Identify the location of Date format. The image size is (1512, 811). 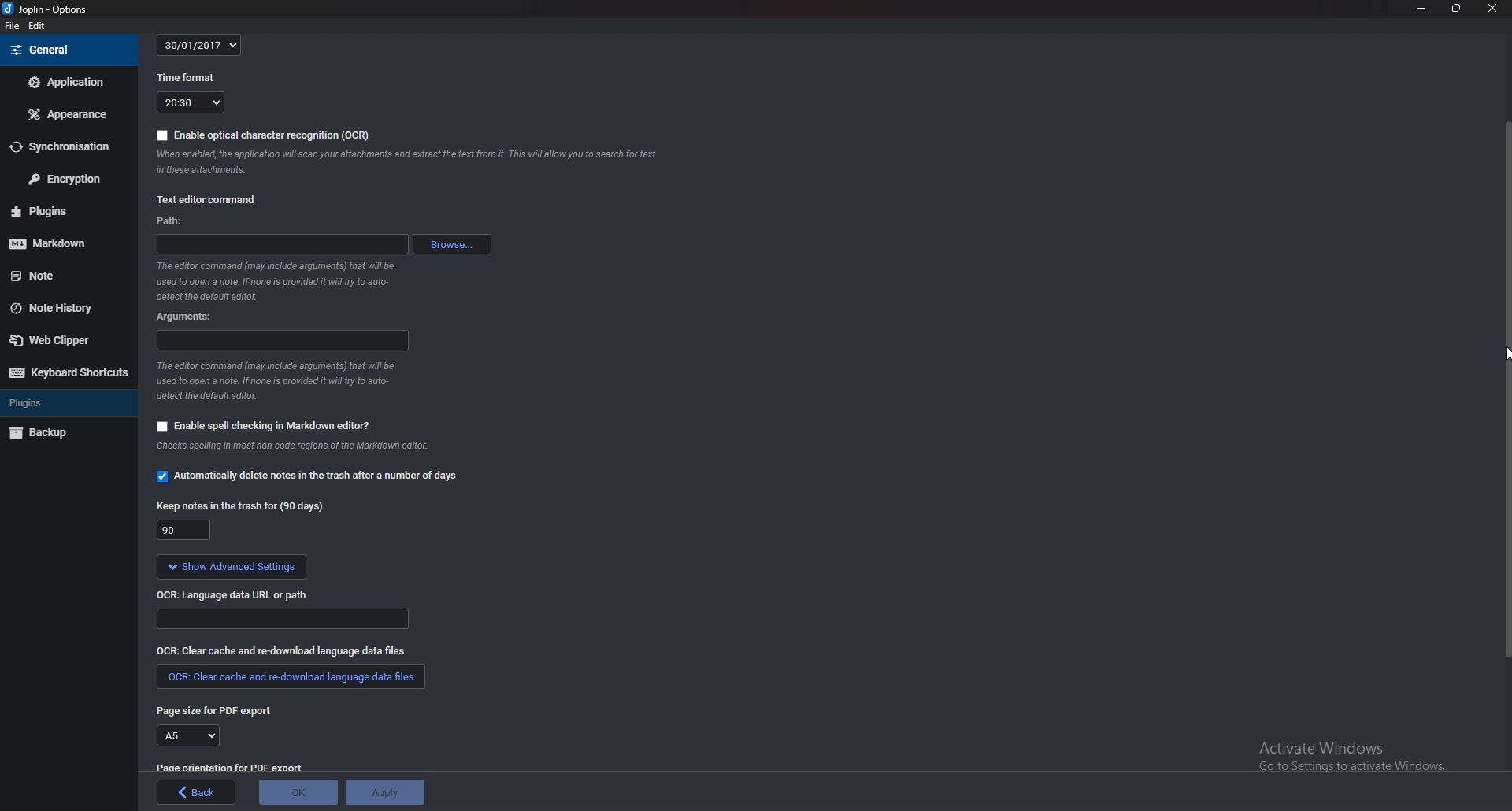
(198, 46).